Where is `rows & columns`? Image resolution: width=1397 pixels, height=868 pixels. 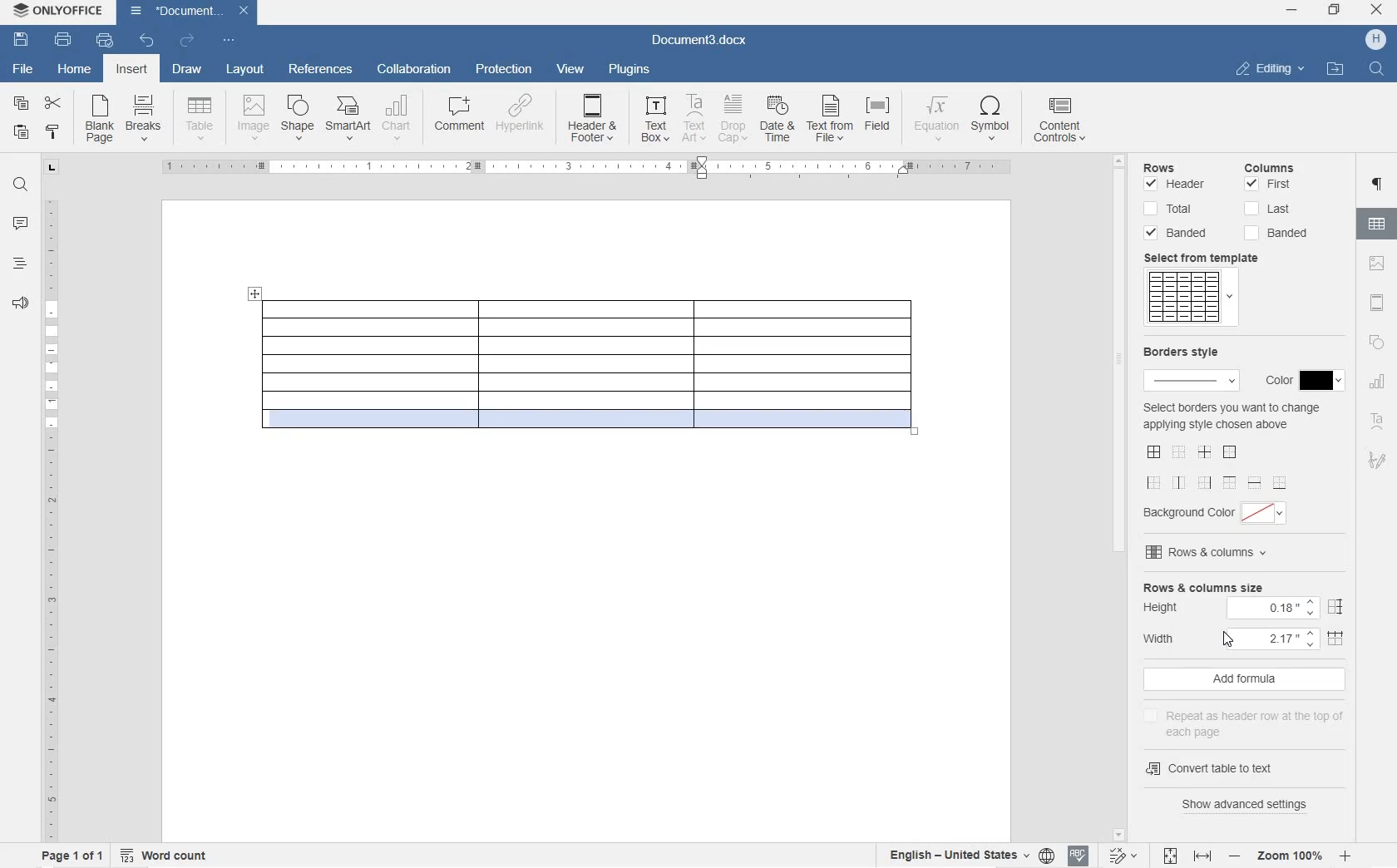 rows & columns is located at coordinates (1247, 553).